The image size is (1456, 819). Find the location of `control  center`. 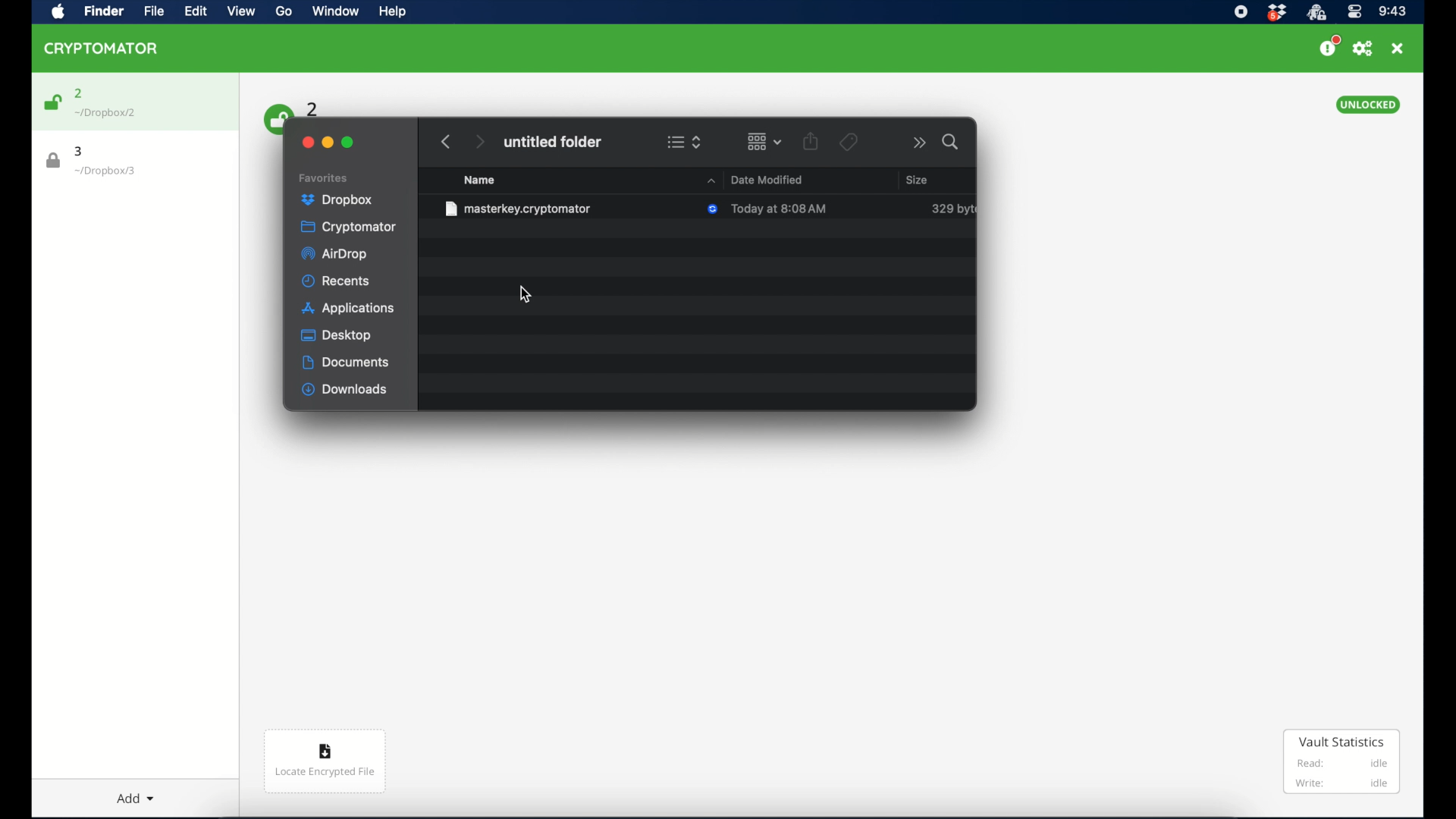

control  center is located at coordinates (1354, 12).